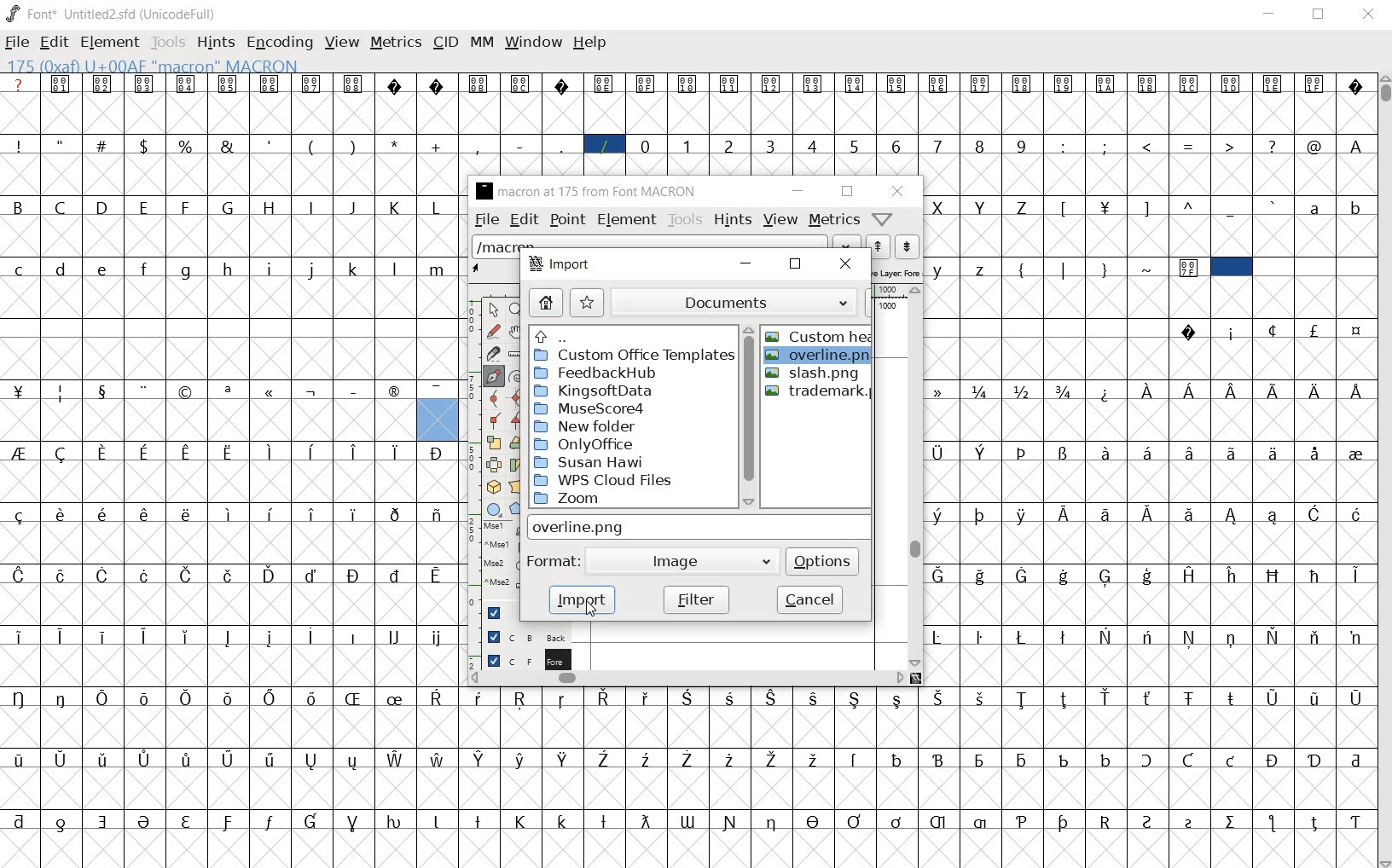  I want to click on H, so click(273, 206).